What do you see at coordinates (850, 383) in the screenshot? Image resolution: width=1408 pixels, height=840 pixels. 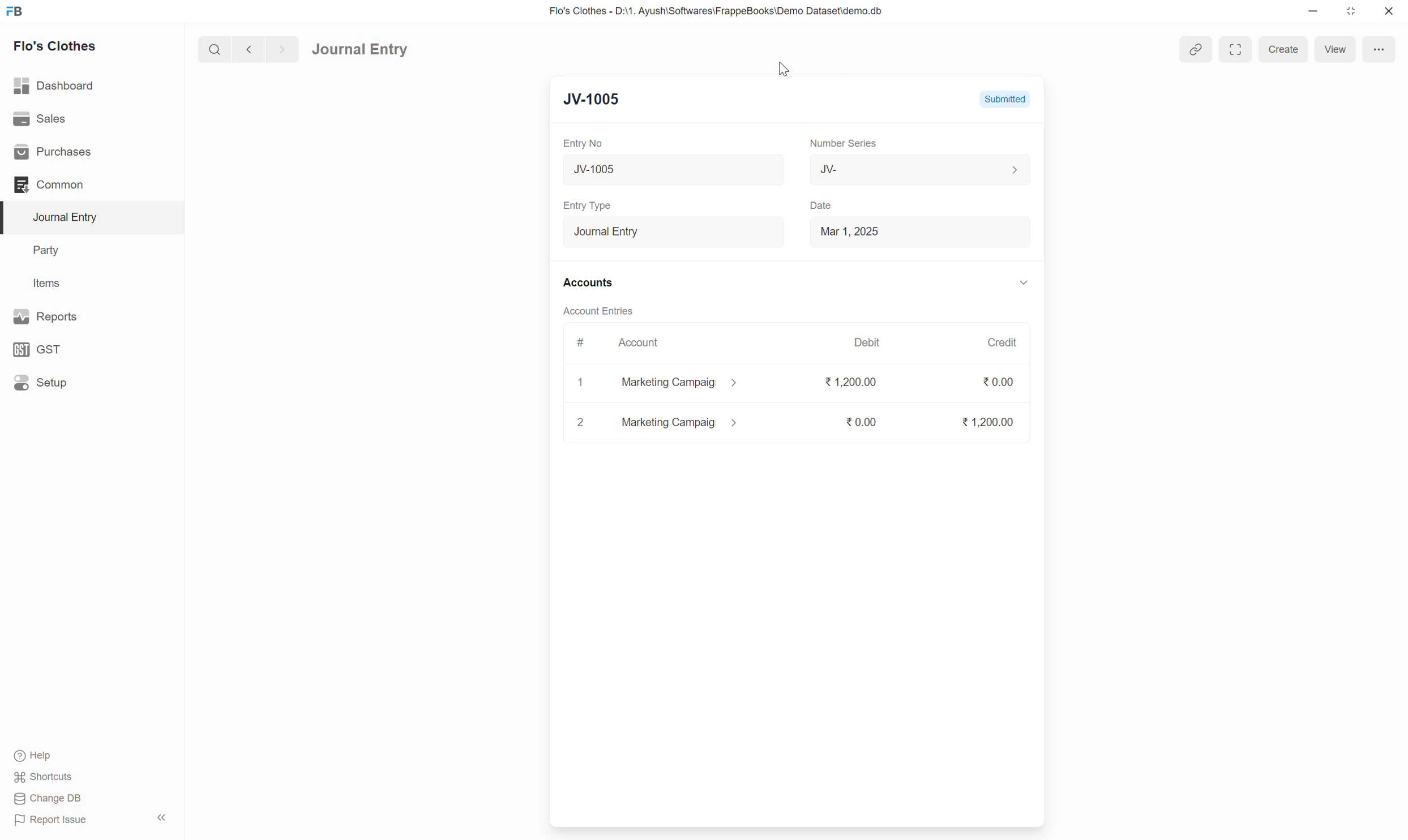 I see `1,200.00` at bounding box center [850, 383].